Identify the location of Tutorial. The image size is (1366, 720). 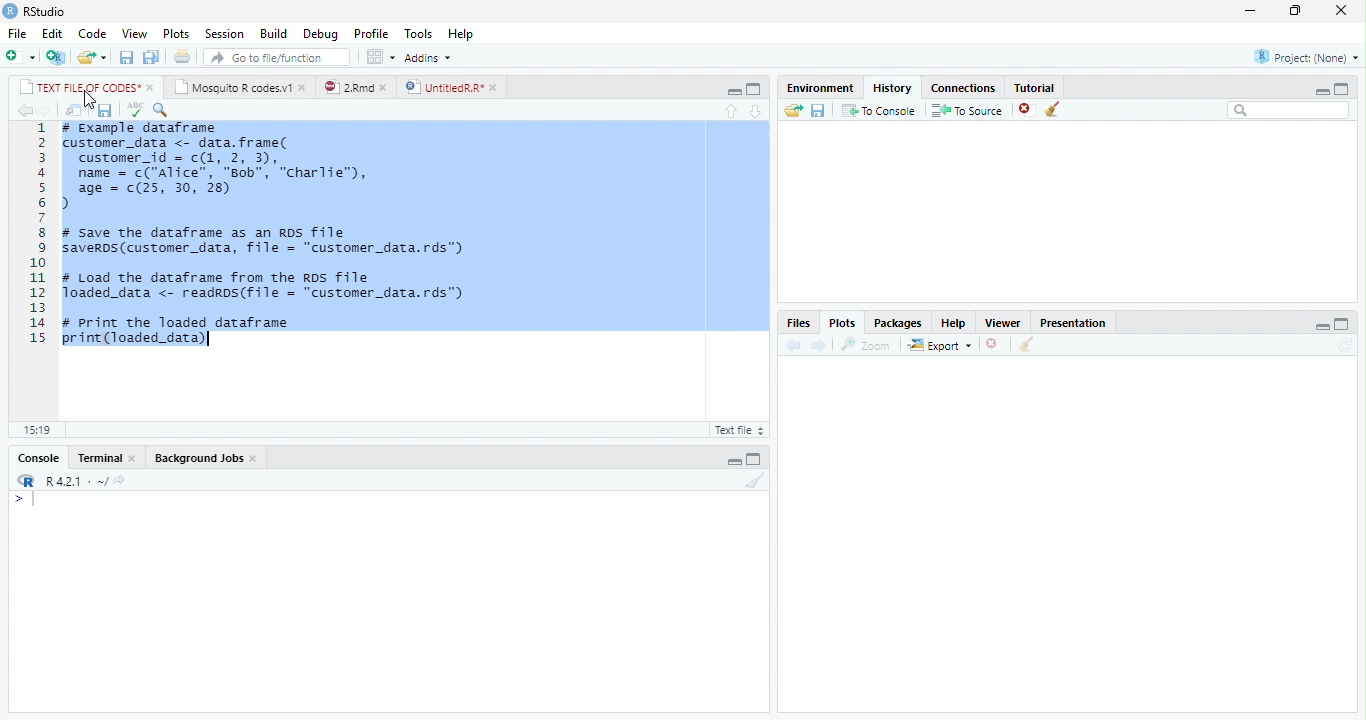
(1036, 87).